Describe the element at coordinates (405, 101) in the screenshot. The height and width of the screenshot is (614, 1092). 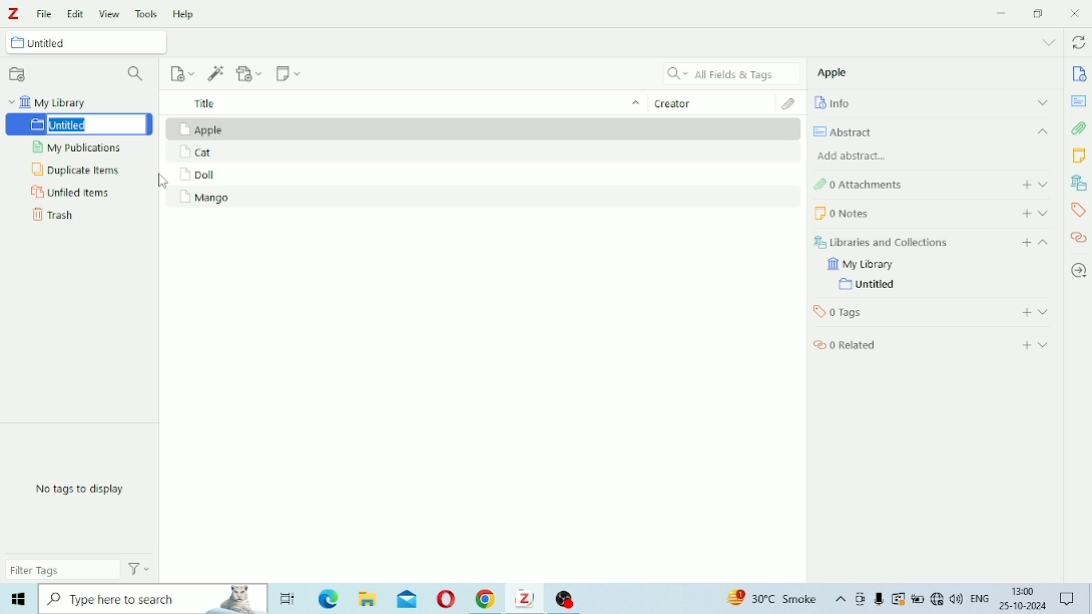
I see `Title` at that location.